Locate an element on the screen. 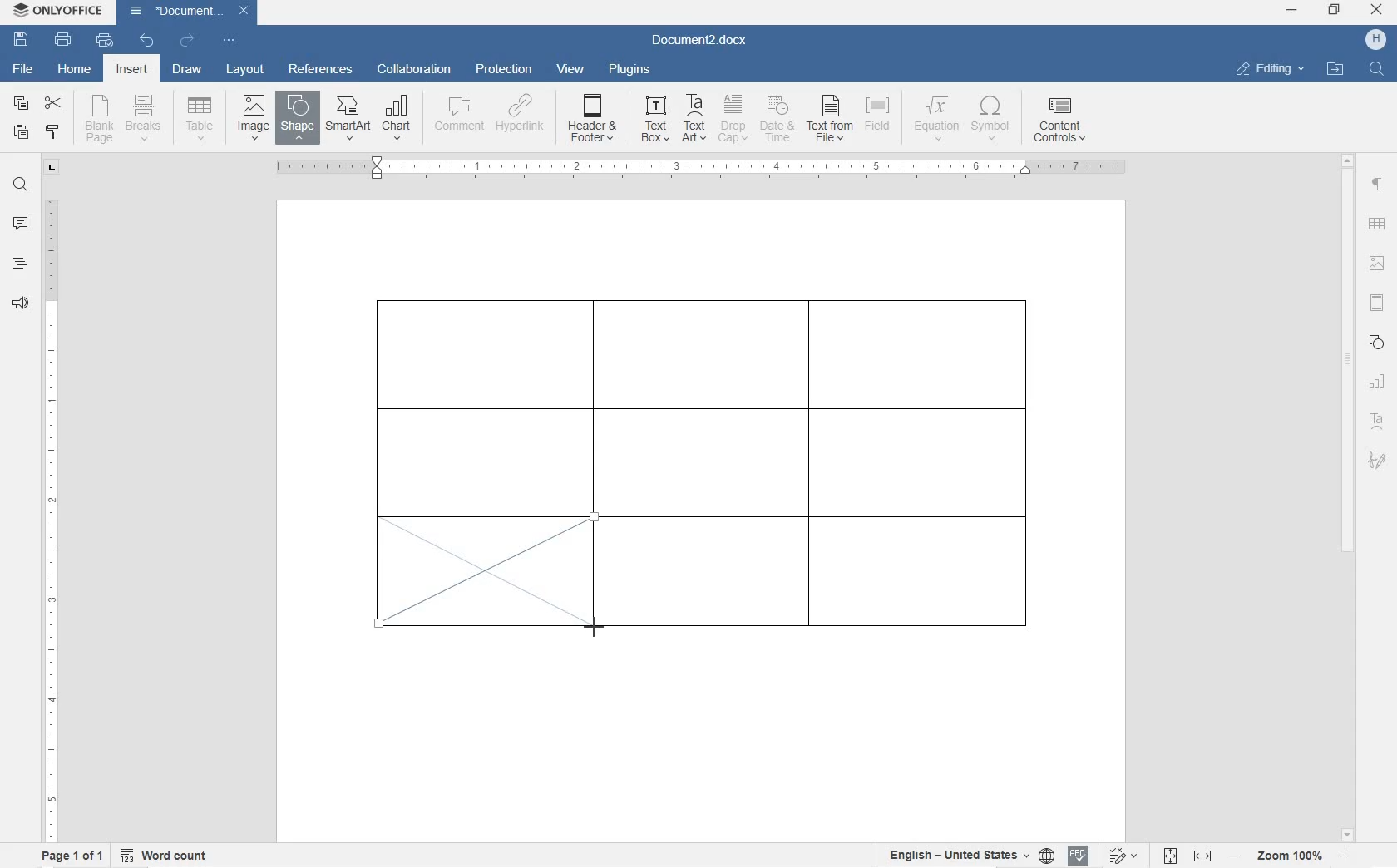 The image size is (1397, 868). Document3.docx is located at coordinates (704, 42).